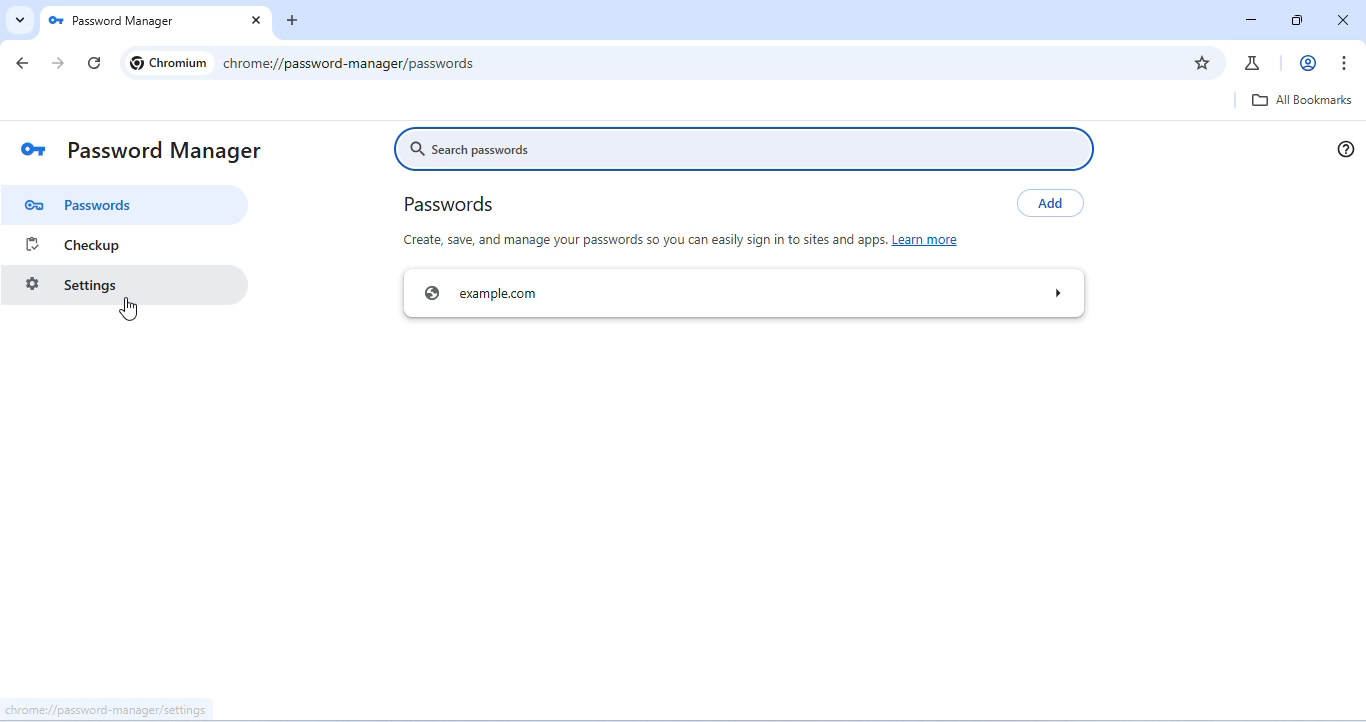 The width and height of the screenshot is (1366, 722). I want to click on close tab, so click(254, 20).